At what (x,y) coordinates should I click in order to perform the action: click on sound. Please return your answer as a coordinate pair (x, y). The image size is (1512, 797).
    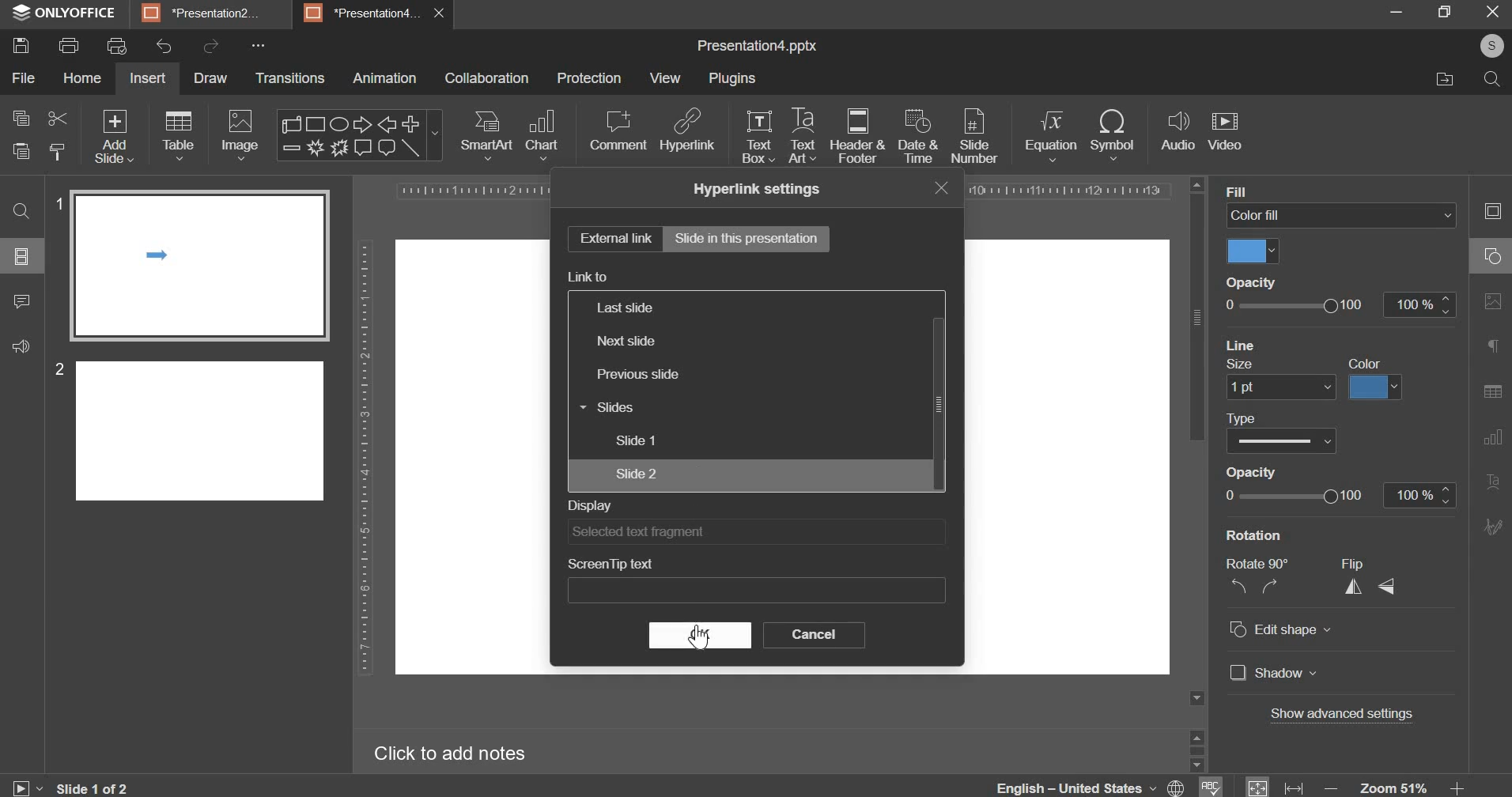
    Looking at the image, I should click on (21, 349).